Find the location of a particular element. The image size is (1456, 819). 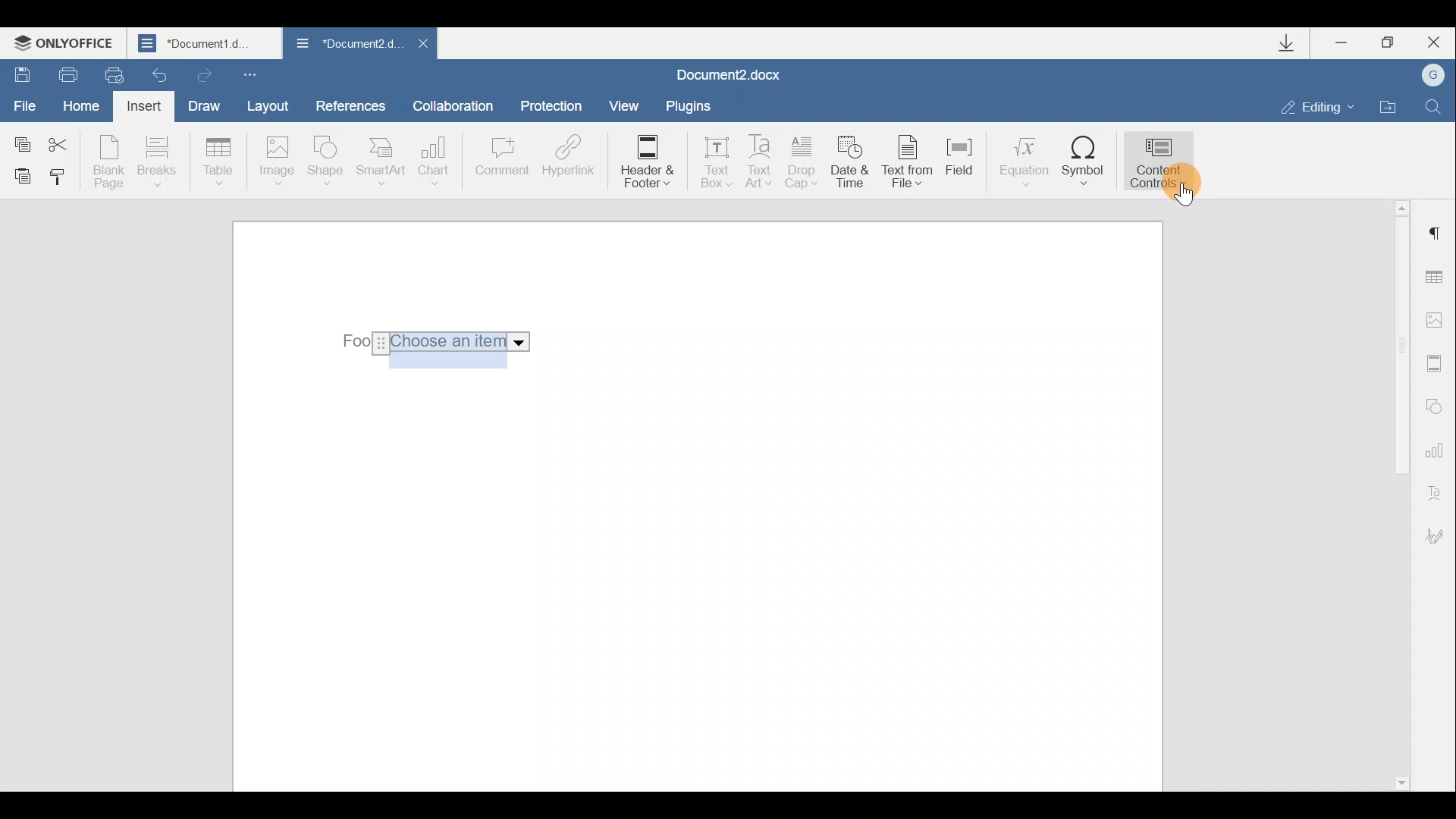

Document2.docx is located at coordinates (730, 73).